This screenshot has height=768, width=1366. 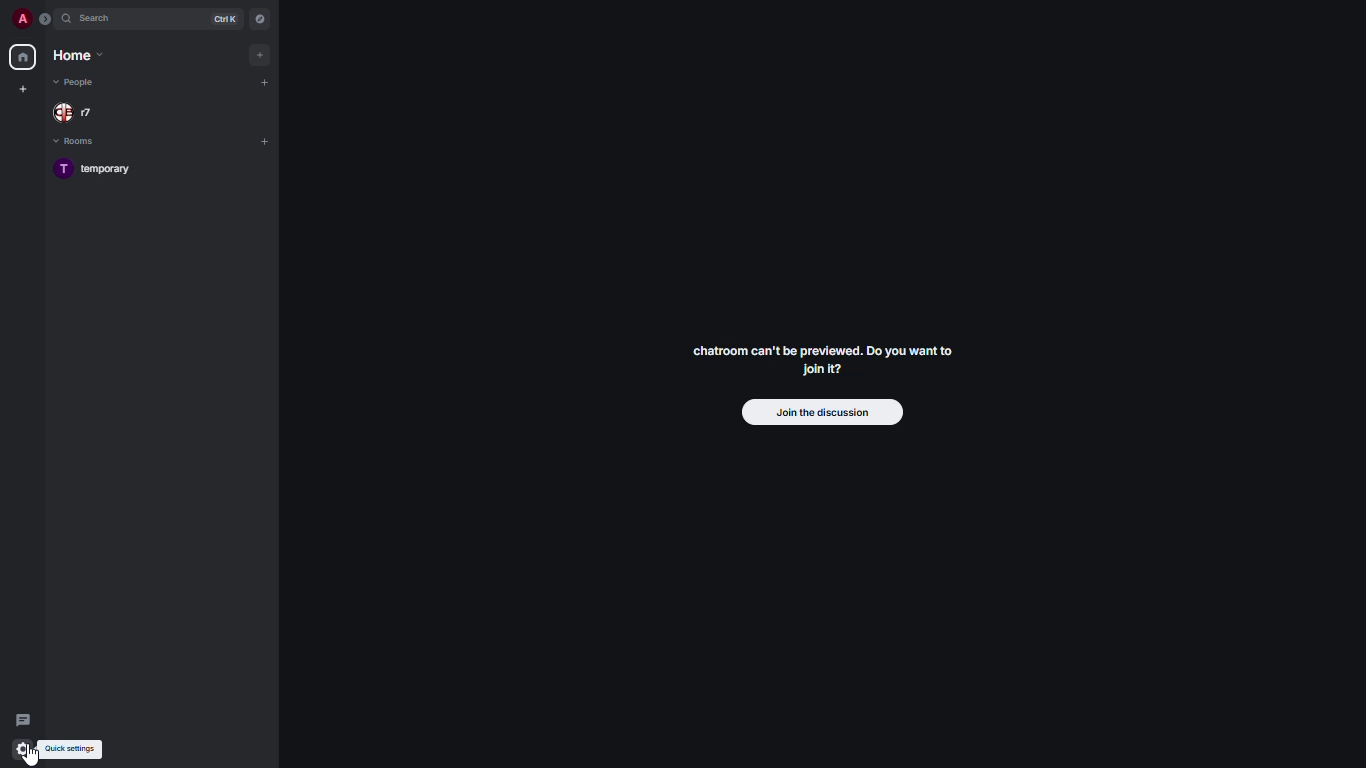 I want to click on room, so click(x=99, y=168).